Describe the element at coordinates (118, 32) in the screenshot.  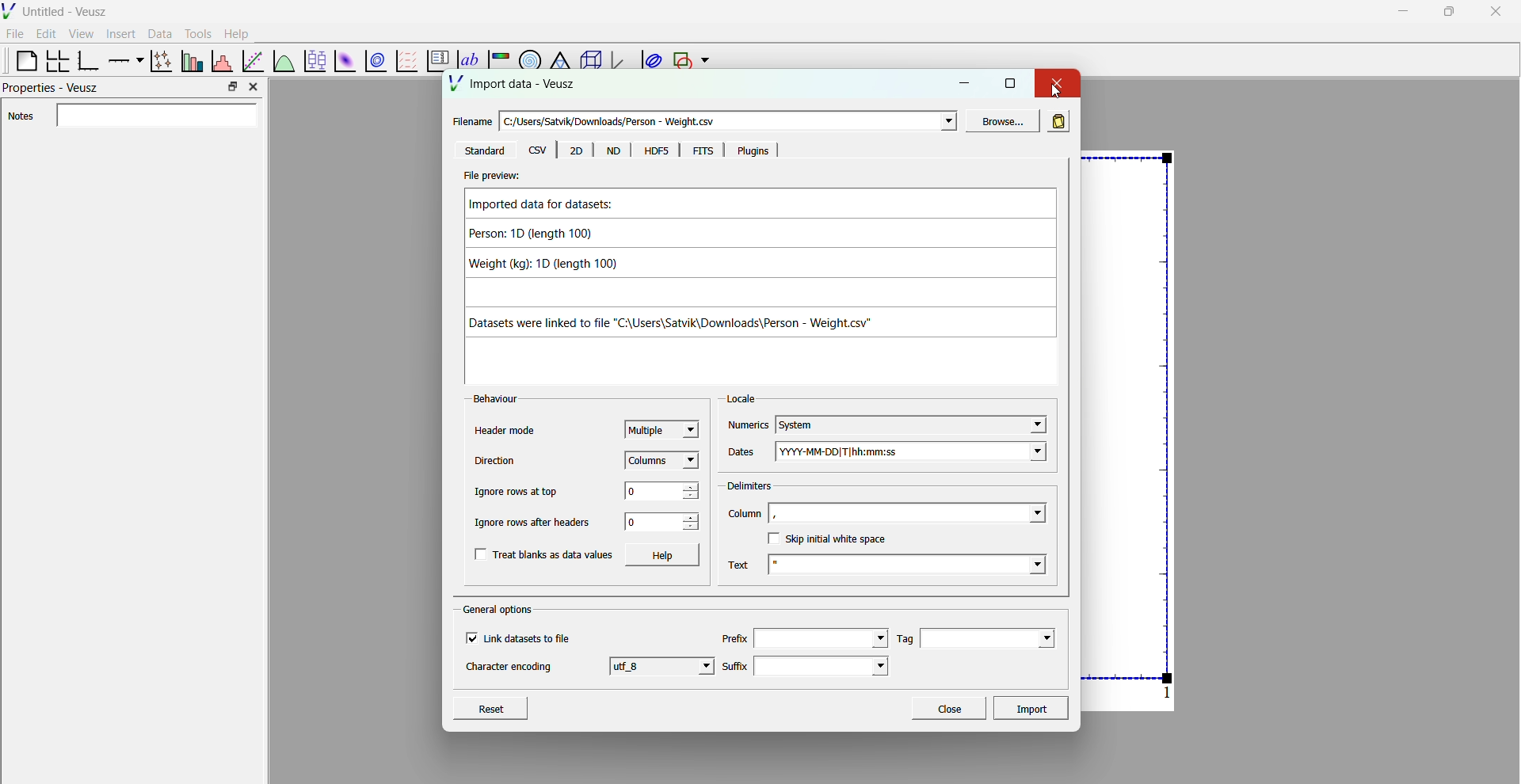
I see `insert` at that location.